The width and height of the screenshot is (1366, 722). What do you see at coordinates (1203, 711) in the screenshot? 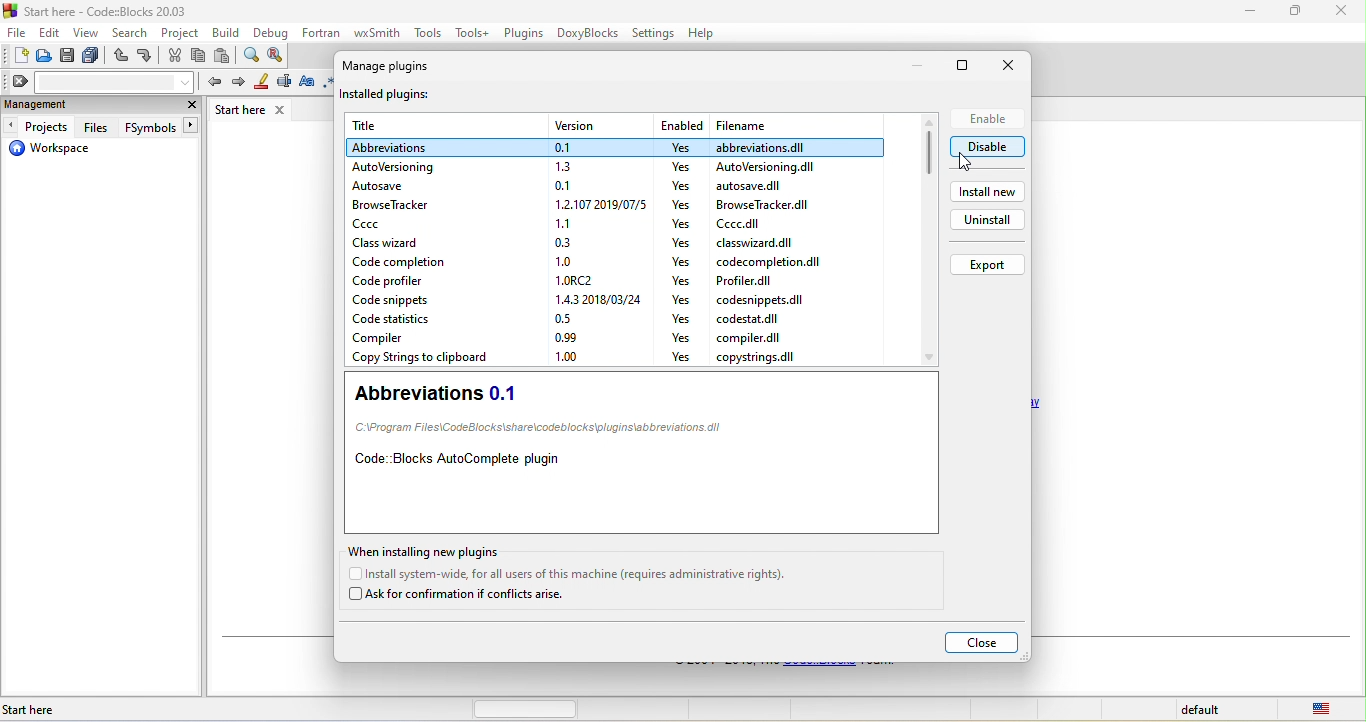
I see `default` at bounding box center [1203, 711].